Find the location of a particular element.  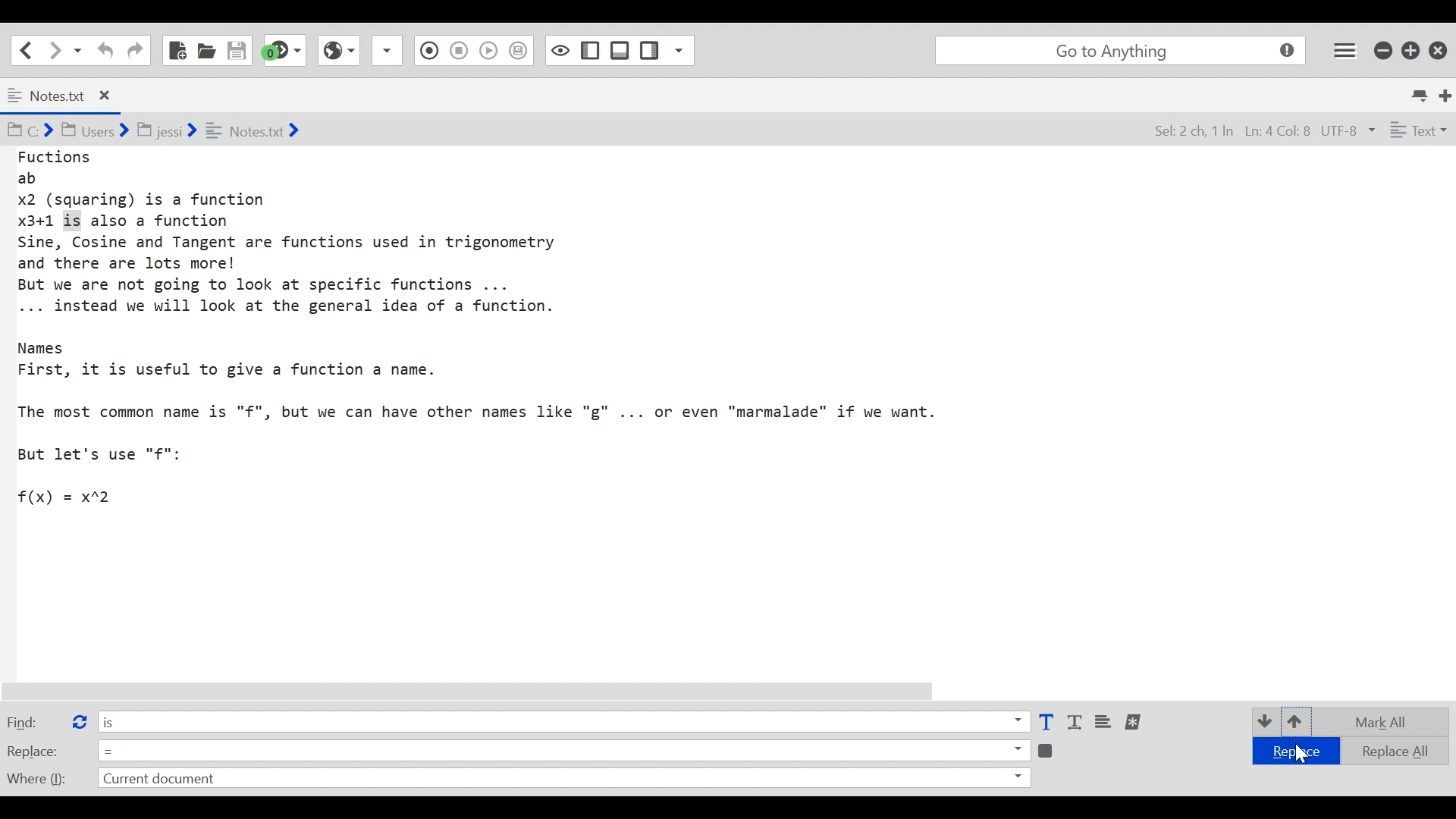

Application menu is located at coordinates (1346, 49).